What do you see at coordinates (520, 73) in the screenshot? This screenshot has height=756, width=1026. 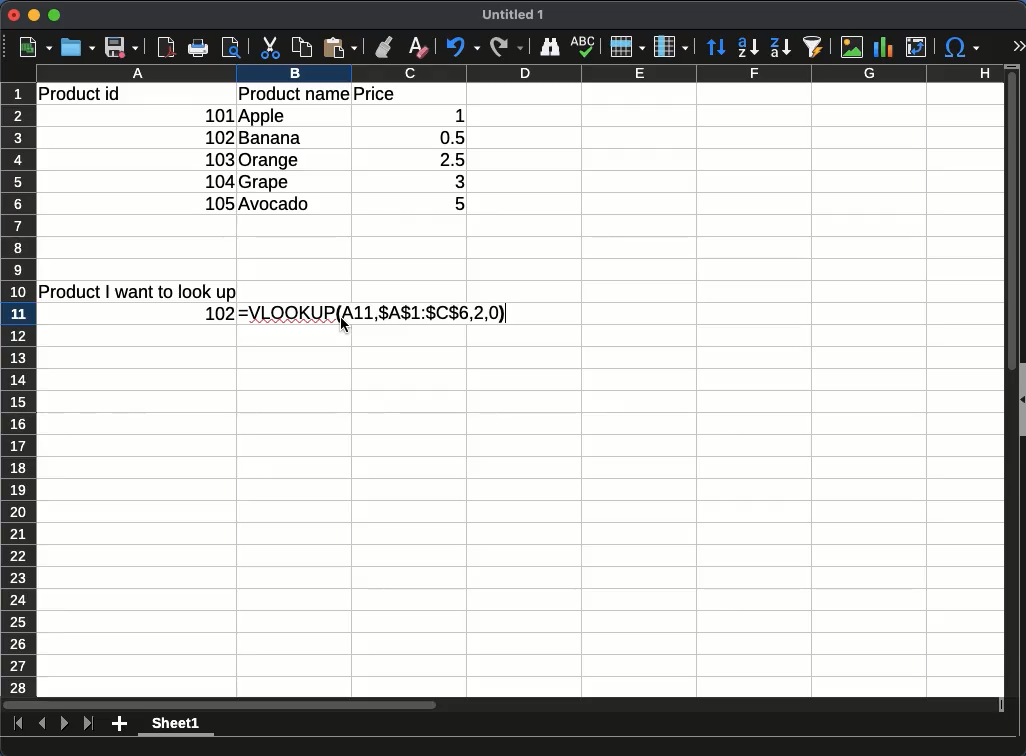 I see `column` at bounding box center [520, 73].